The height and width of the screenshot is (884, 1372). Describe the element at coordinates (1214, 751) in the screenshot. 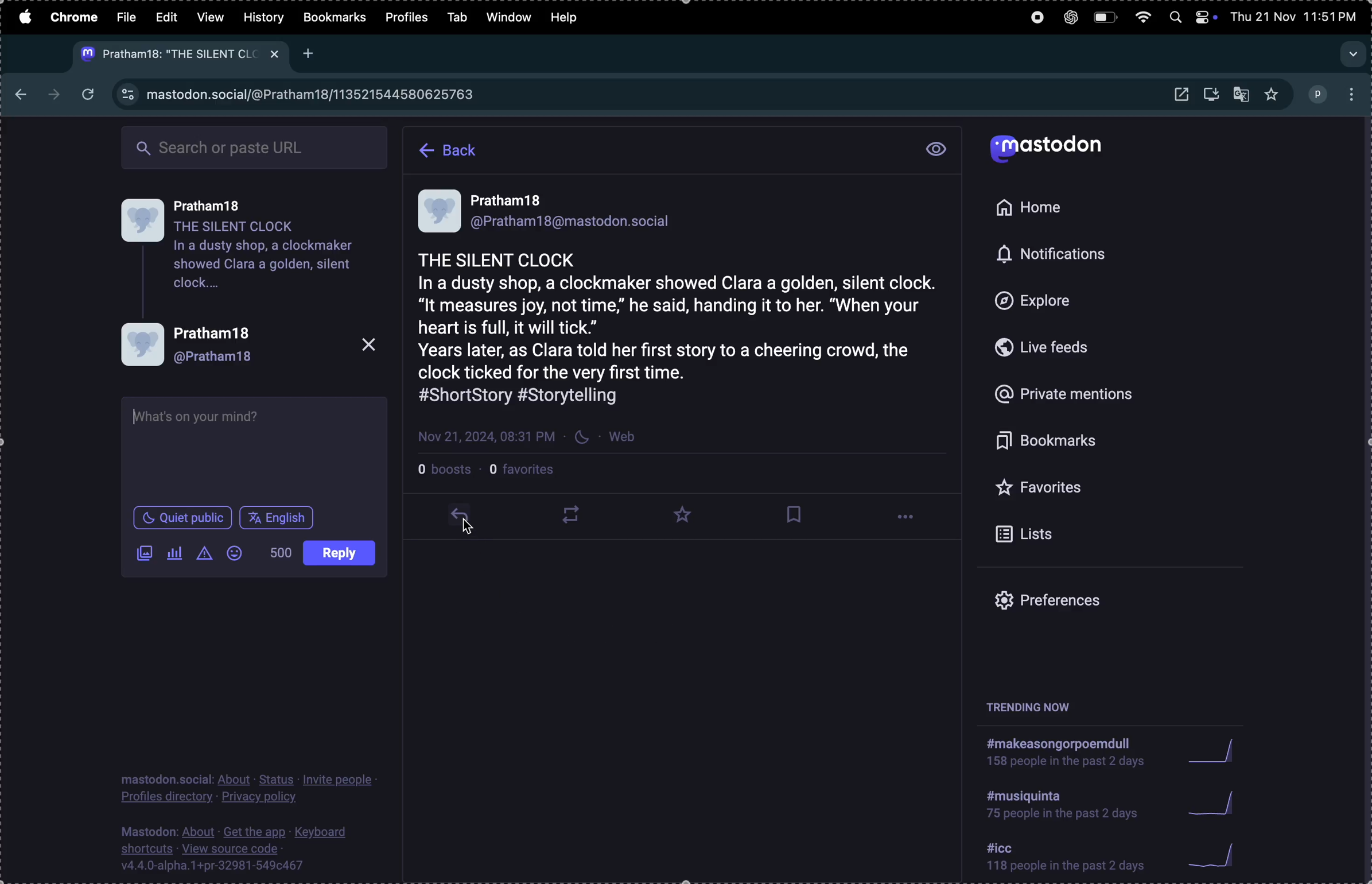

I see `graph` at that location.